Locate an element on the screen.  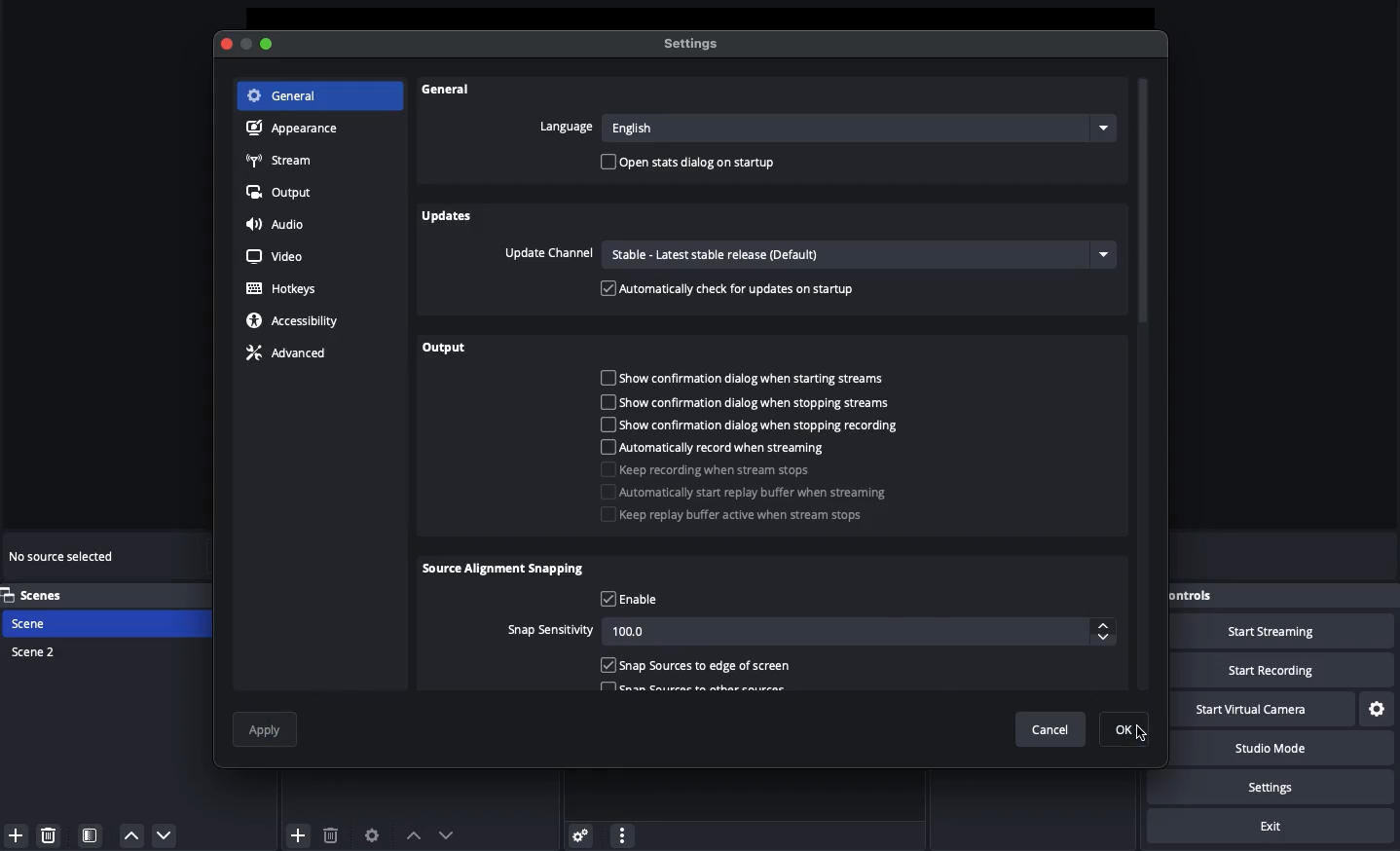
Bugger is located at coordinates (755, 504).